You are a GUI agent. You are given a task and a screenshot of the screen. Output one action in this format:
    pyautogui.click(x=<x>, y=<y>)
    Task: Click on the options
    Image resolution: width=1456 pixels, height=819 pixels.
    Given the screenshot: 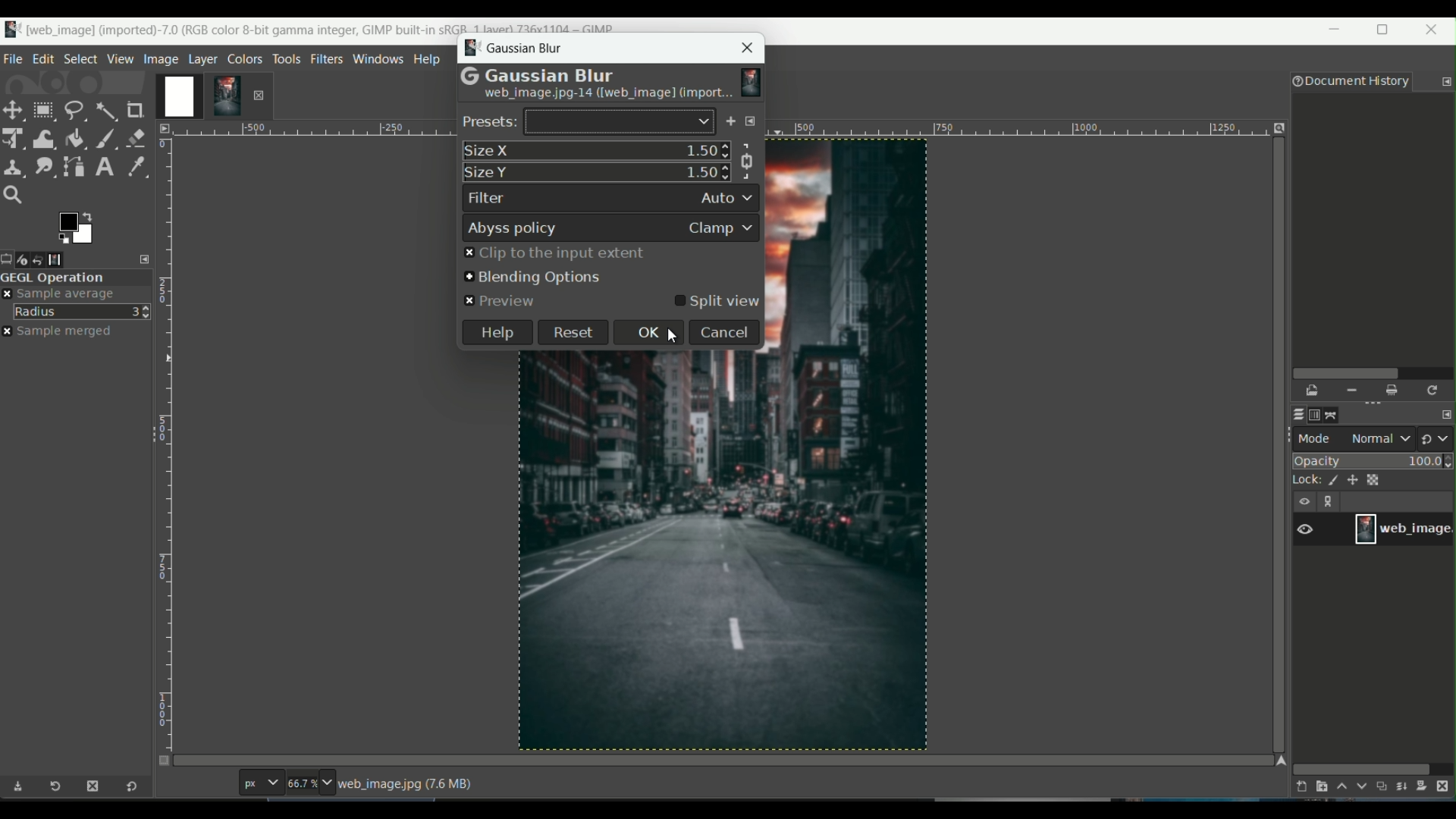 What is the action you would take?
    pyautogui.click(x=1332, y=503)
    